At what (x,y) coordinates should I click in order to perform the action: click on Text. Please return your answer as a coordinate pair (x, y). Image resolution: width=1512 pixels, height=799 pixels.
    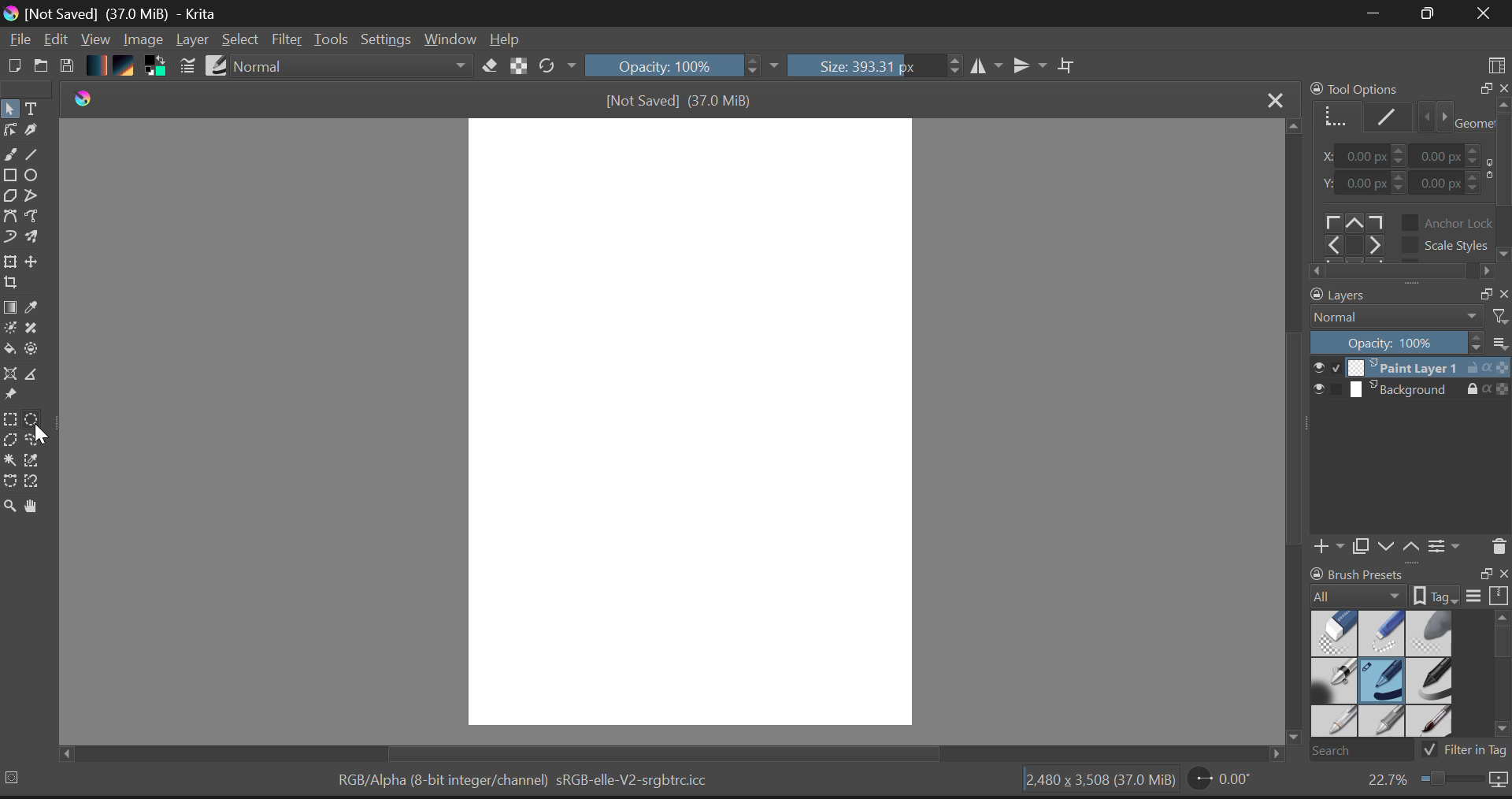
    Looking at the image, I should click on (32, 109).